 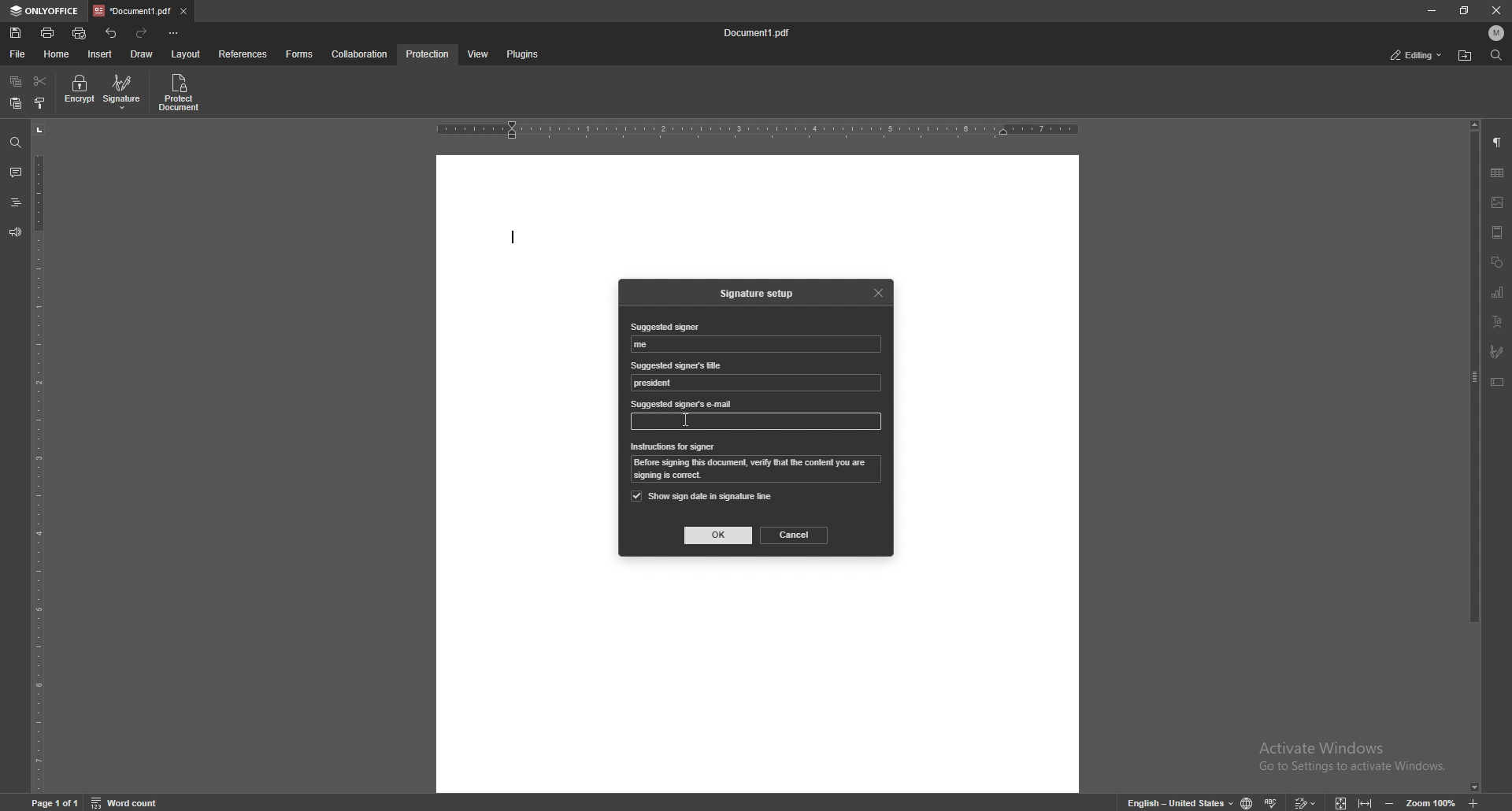 I want to click on draw, so click(x=142, y=54).